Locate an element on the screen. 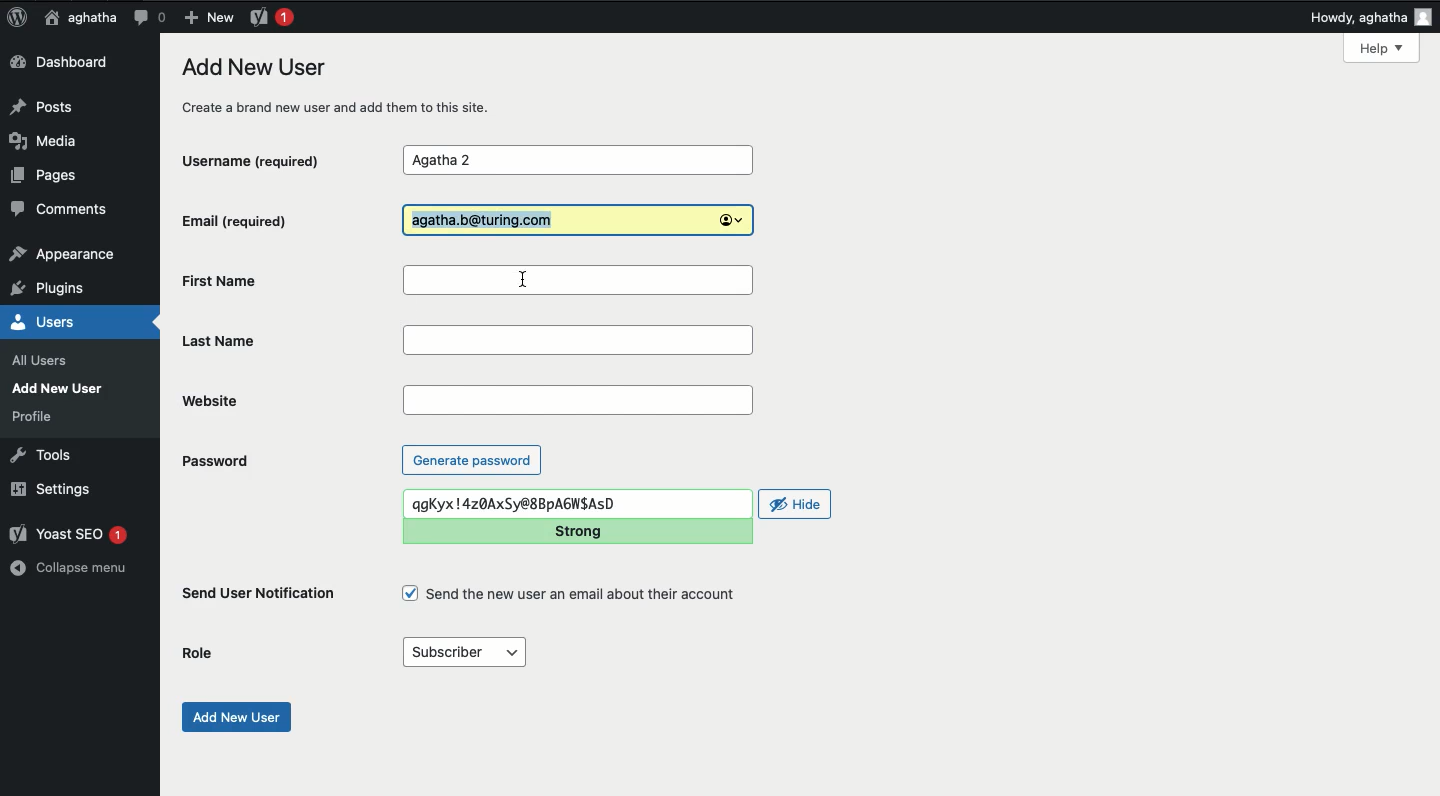 This screenshot has width=1440, height=796. Agatha.b@turing.com is located at coordinates (574, 221).